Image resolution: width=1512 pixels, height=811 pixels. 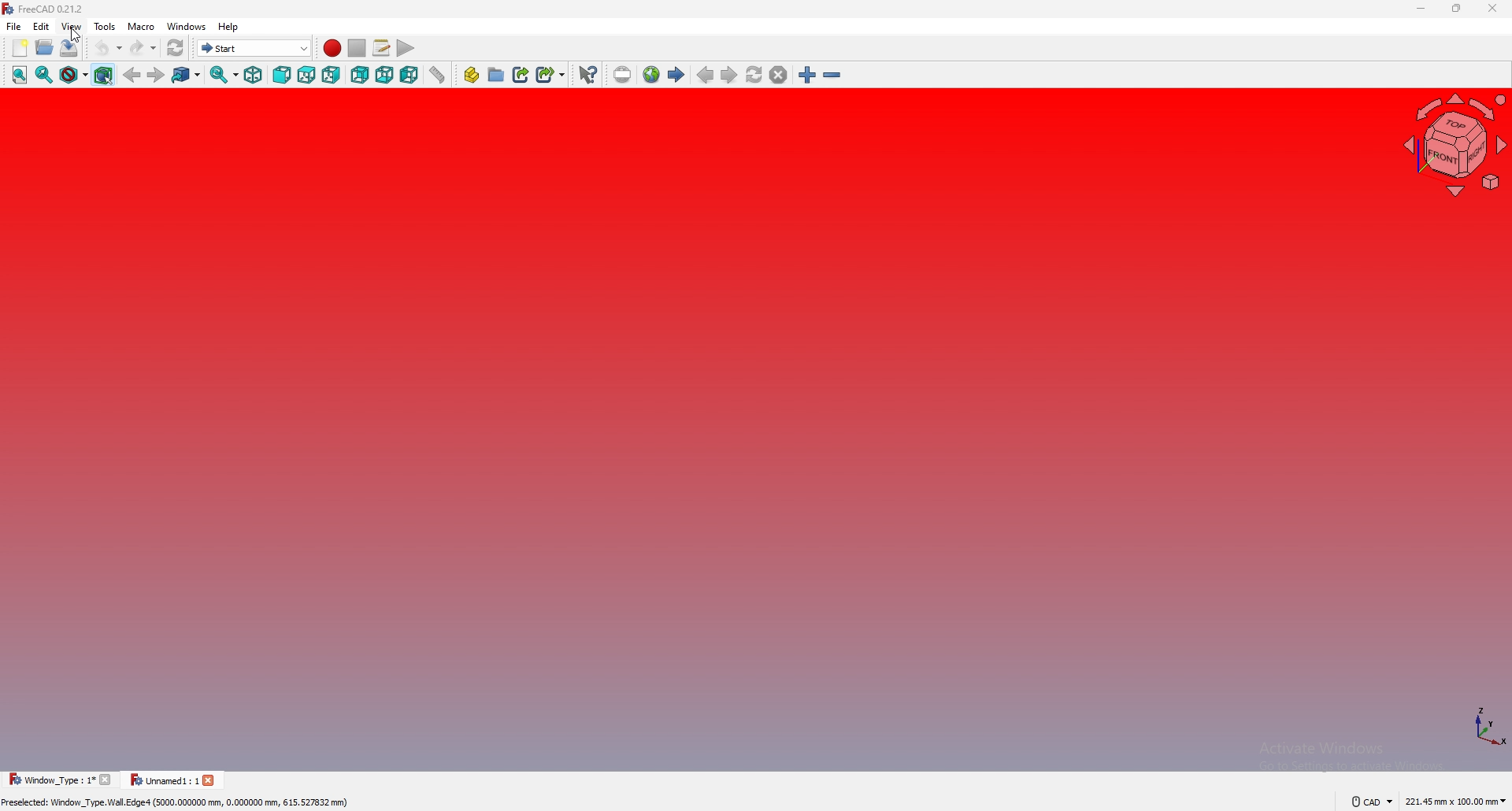 What do you see at coordinates (20, 75) in the screenshot?
I see `fit all` at bounding box center [20, 75].